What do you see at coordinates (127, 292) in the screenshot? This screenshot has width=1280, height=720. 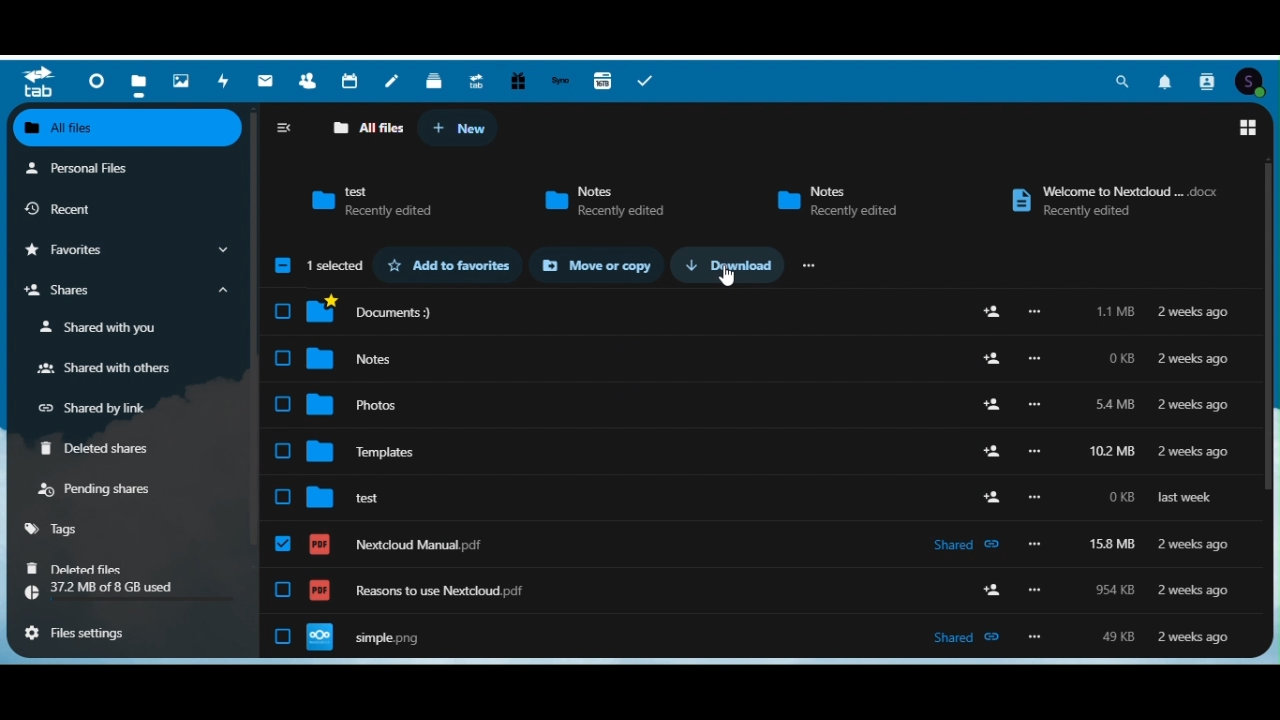 I see `Shares` at bounding box center [127, 292].